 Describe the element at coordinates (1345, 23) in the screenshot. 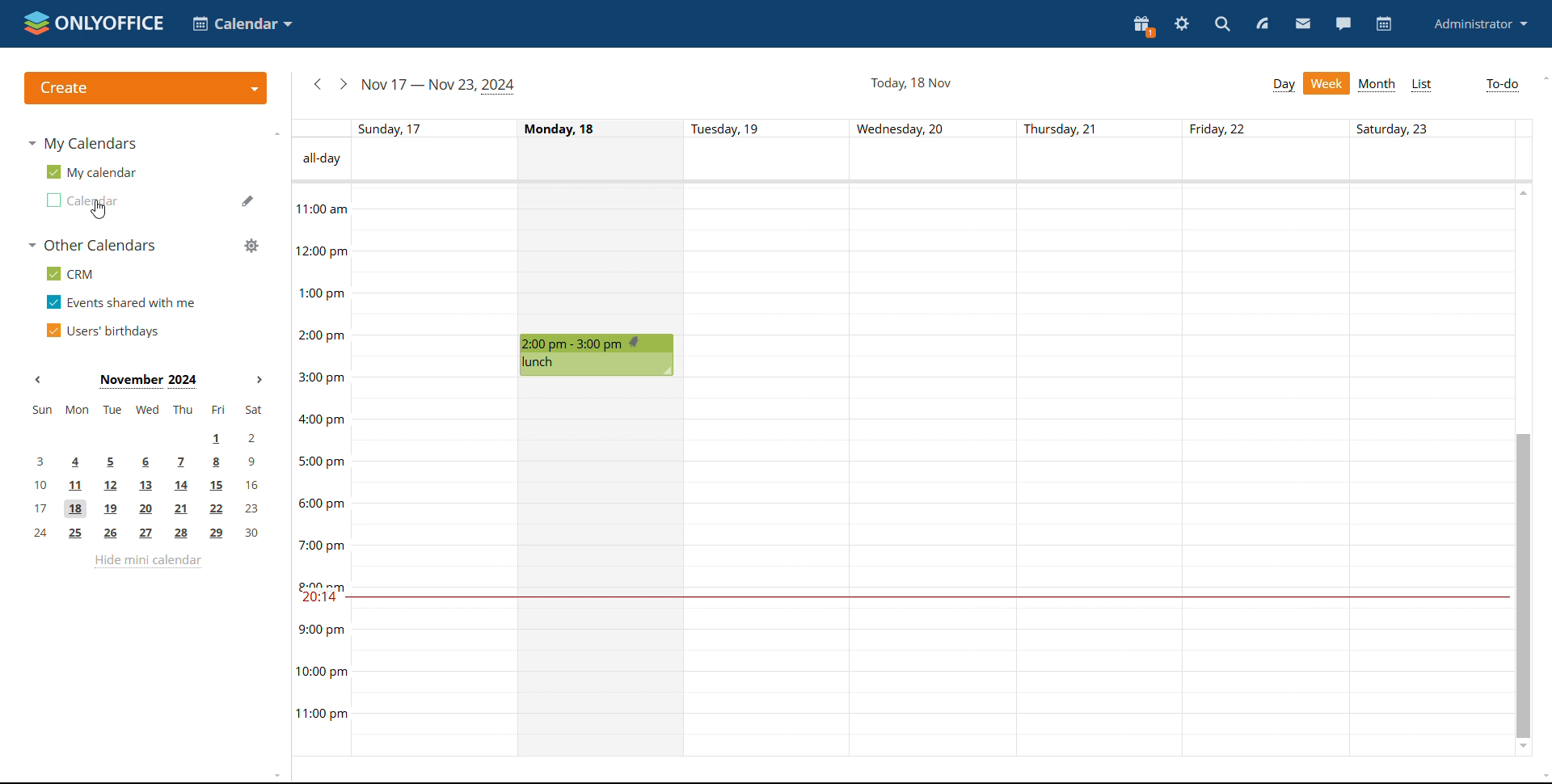

I see `chat` at that location.